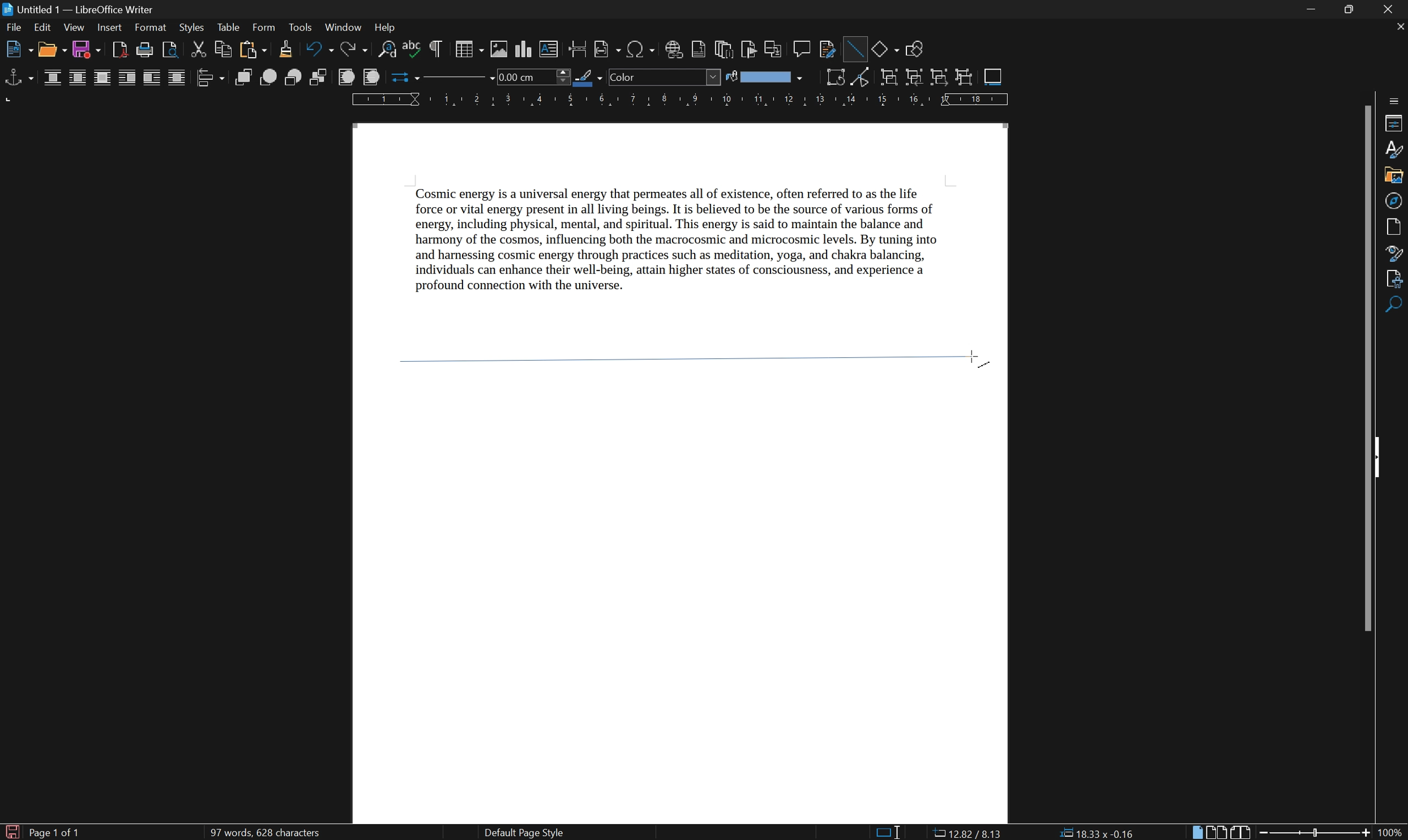 This screenshot has width=1408, height=840. Describe the element at coordinates (752, 50) in the screenshot. I see `insert bookmark` at that location.